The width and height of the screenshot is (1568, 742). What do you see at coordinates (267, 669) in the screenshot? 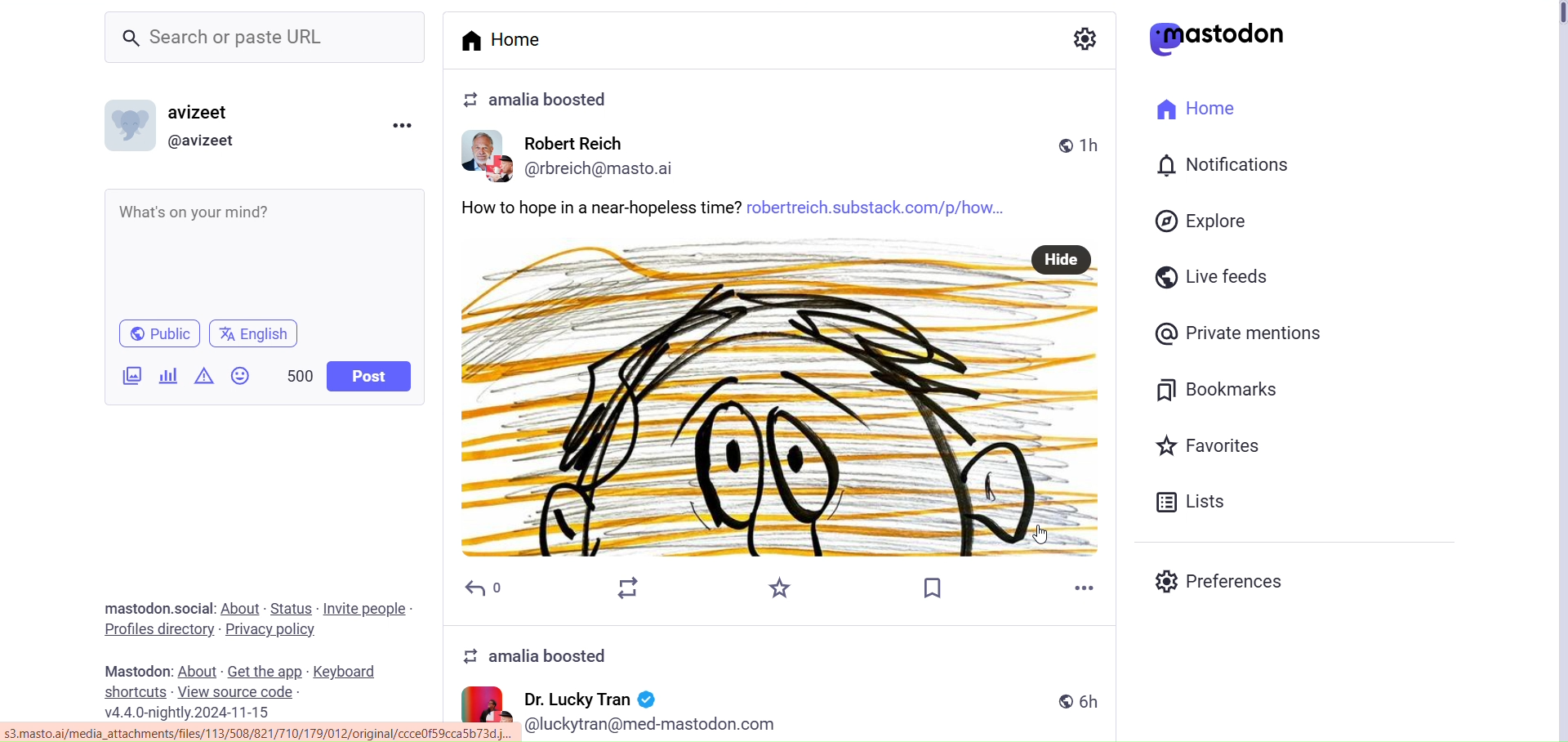
I see `Get the app` at bounding box center [267, 669].